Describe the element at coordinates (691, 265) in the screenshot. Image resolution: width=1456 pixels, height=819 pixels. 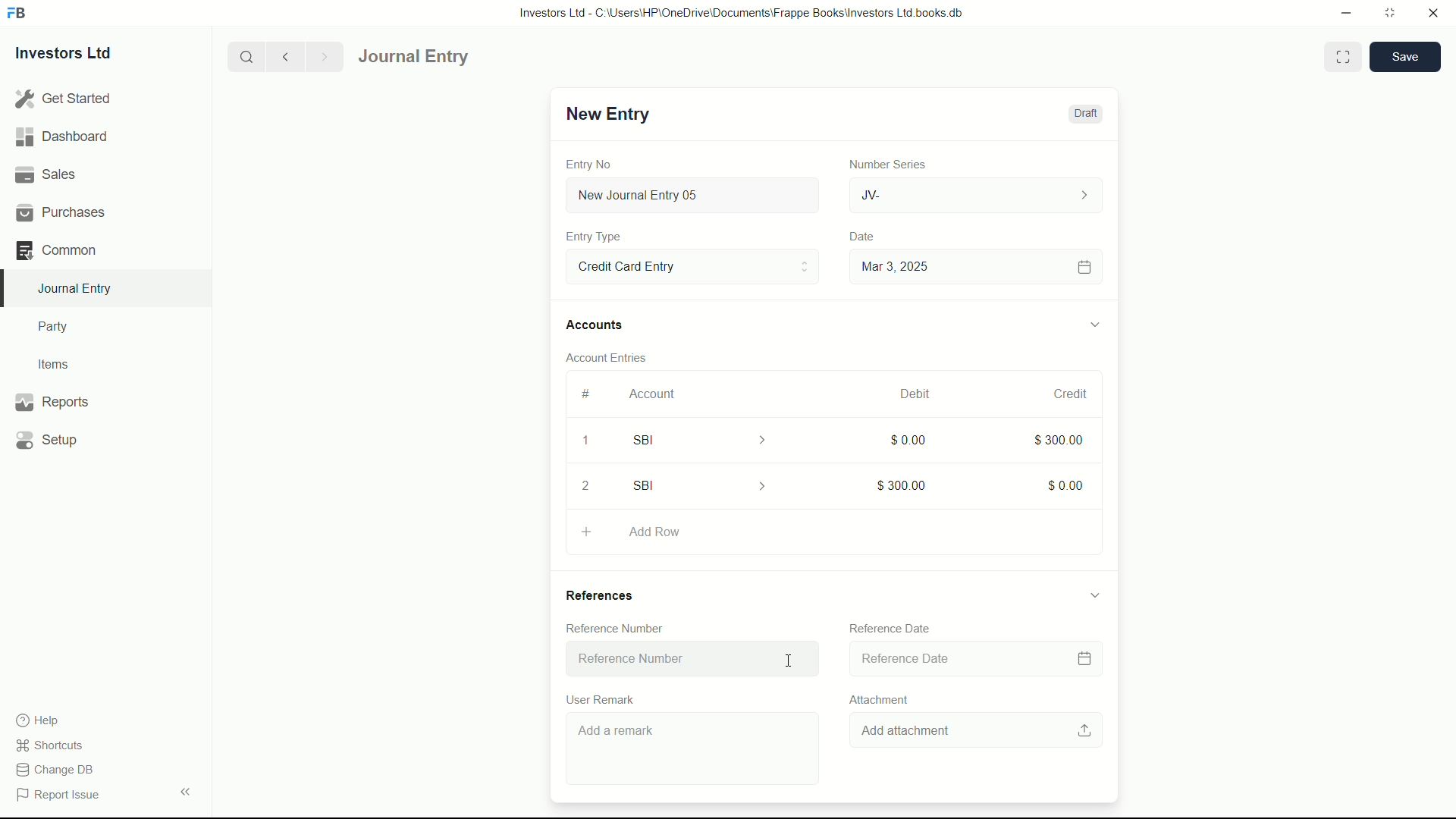
I see `Entry Type` at that location.